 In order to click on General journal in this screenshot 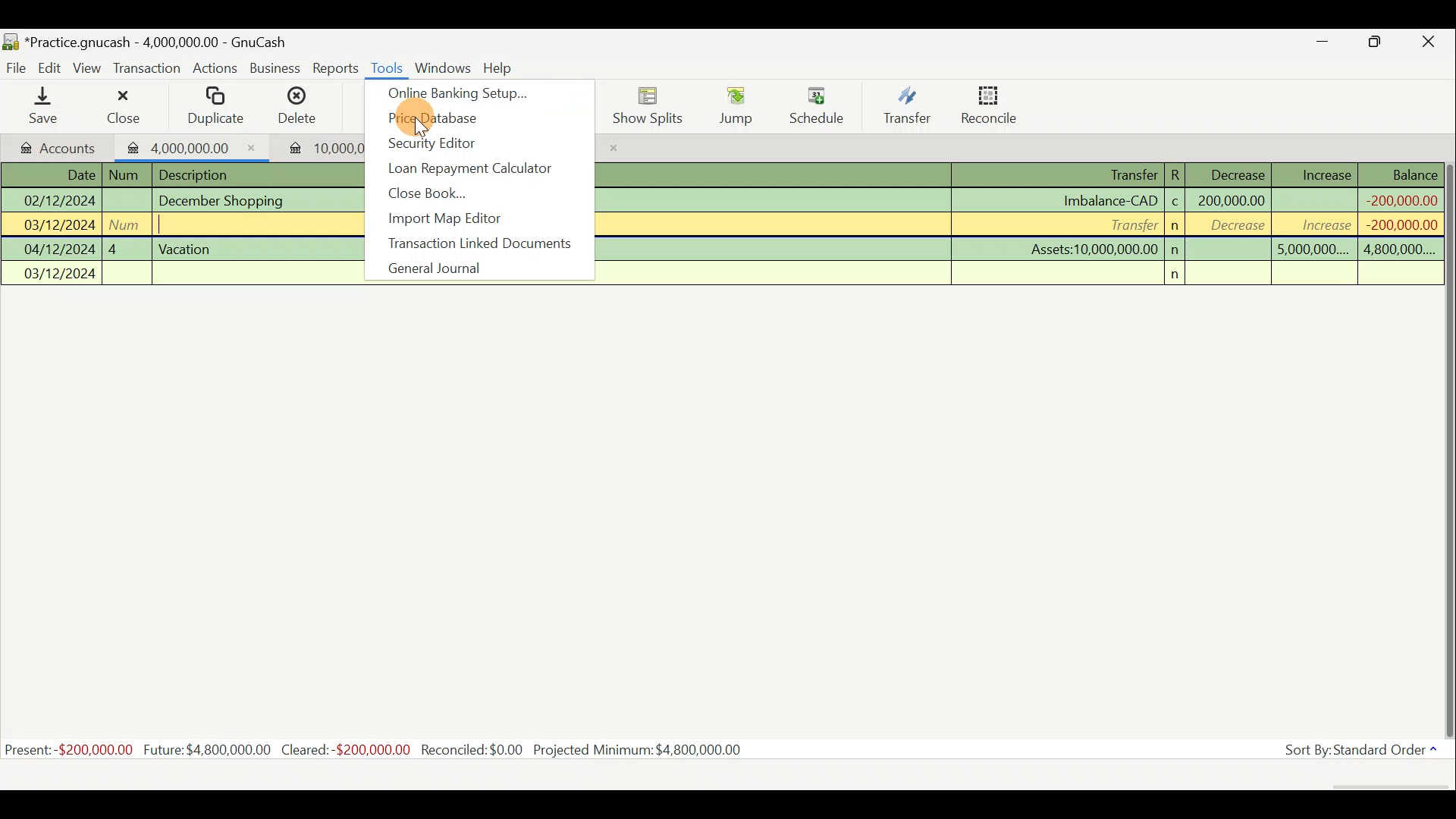, I will do `click(469, 268)`.